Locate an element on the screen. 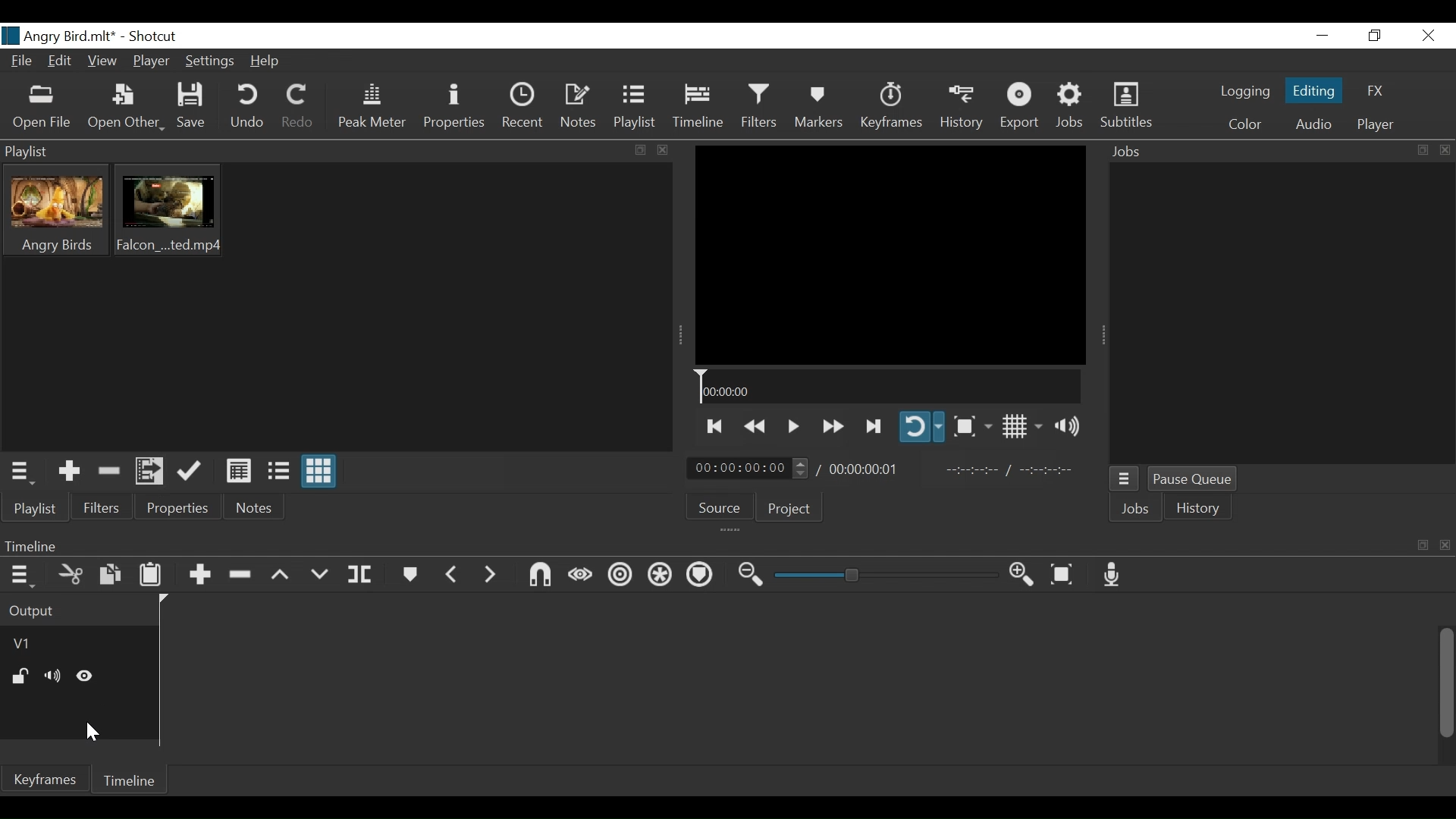 The image size is (1456, 819). Jobs Panel is located at coordinates (1281, 315).